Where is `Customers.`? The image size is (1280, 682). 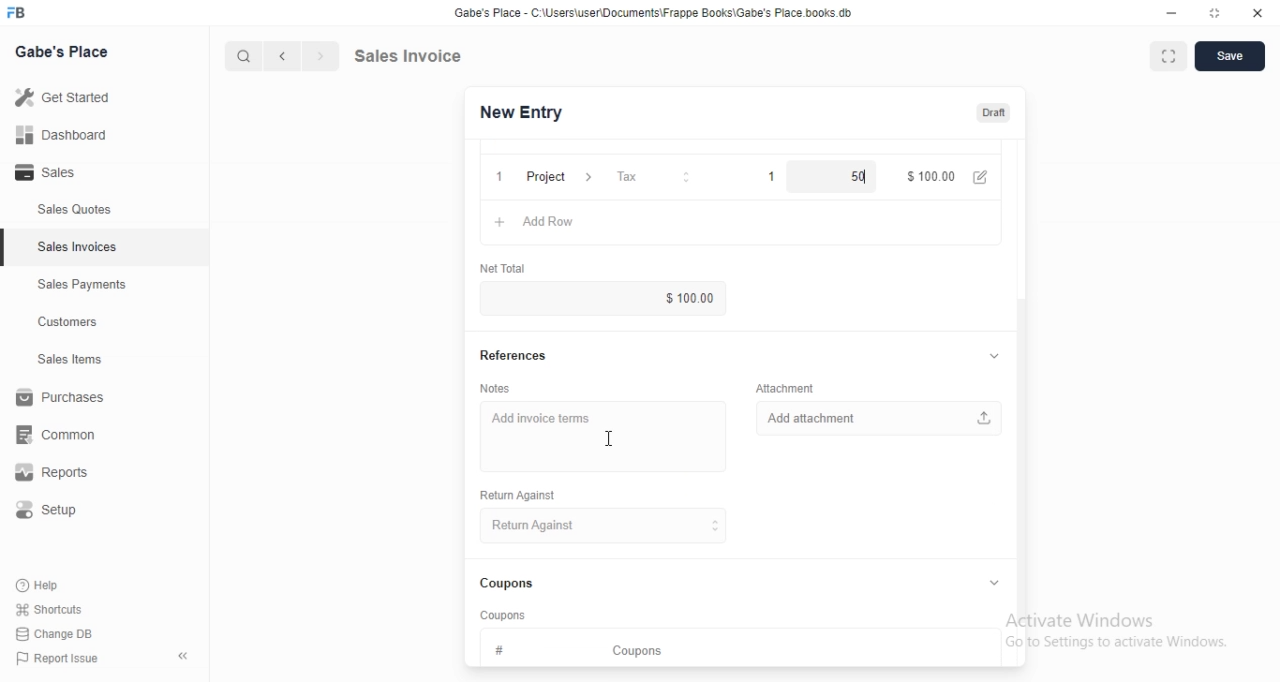
Customers. is located at coordinates (62, 324).